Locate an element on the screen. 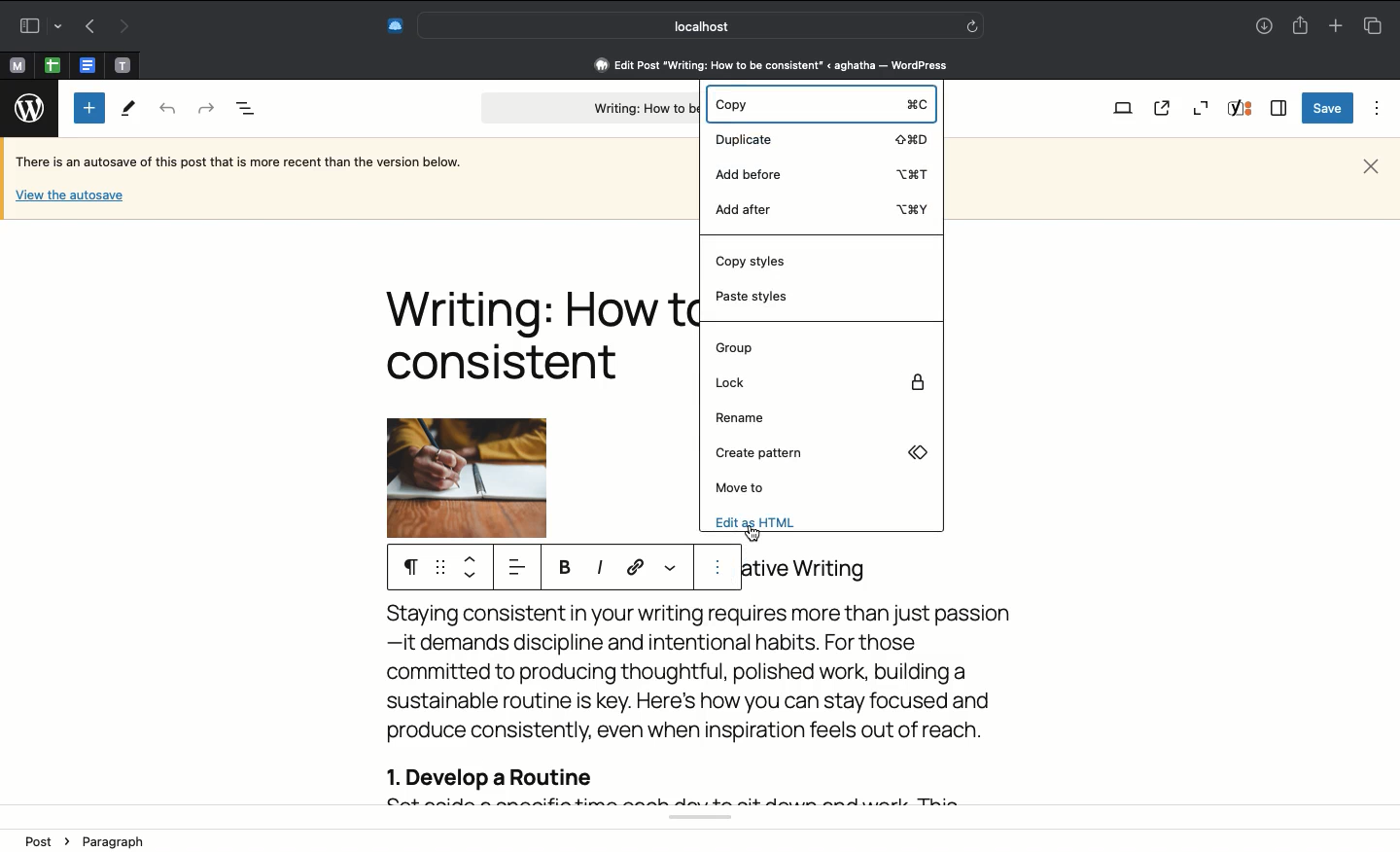 This screenshot has width=1400, height=852. Move up down is located at coordinates (472, 569).